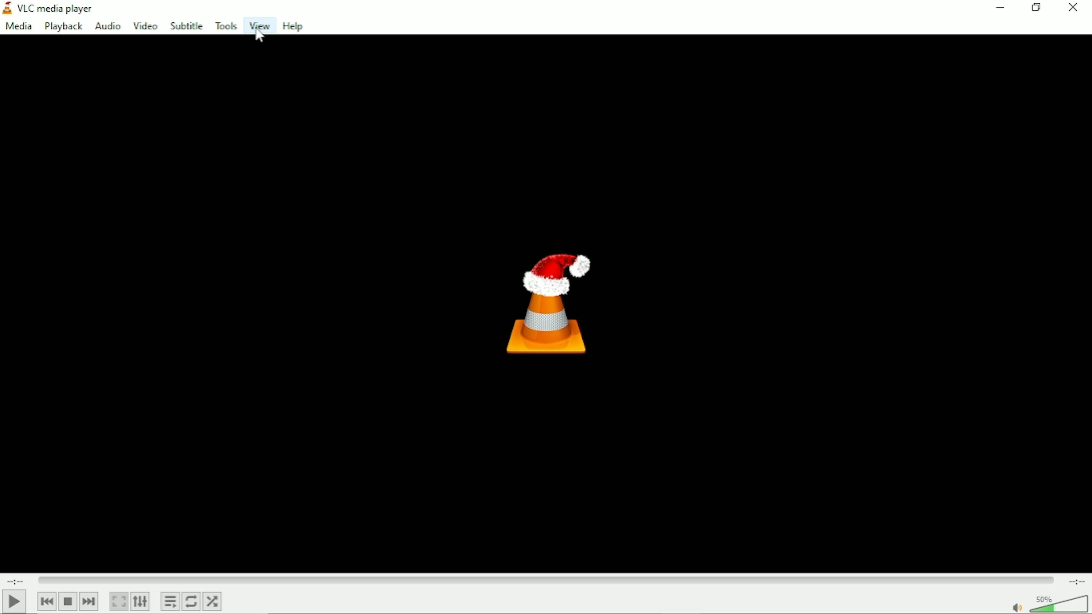 The height and width of the screenshot is (614, 1092). Describe the element at coordinates (546, 306) in the screenshot. I see `Logo` at that location.